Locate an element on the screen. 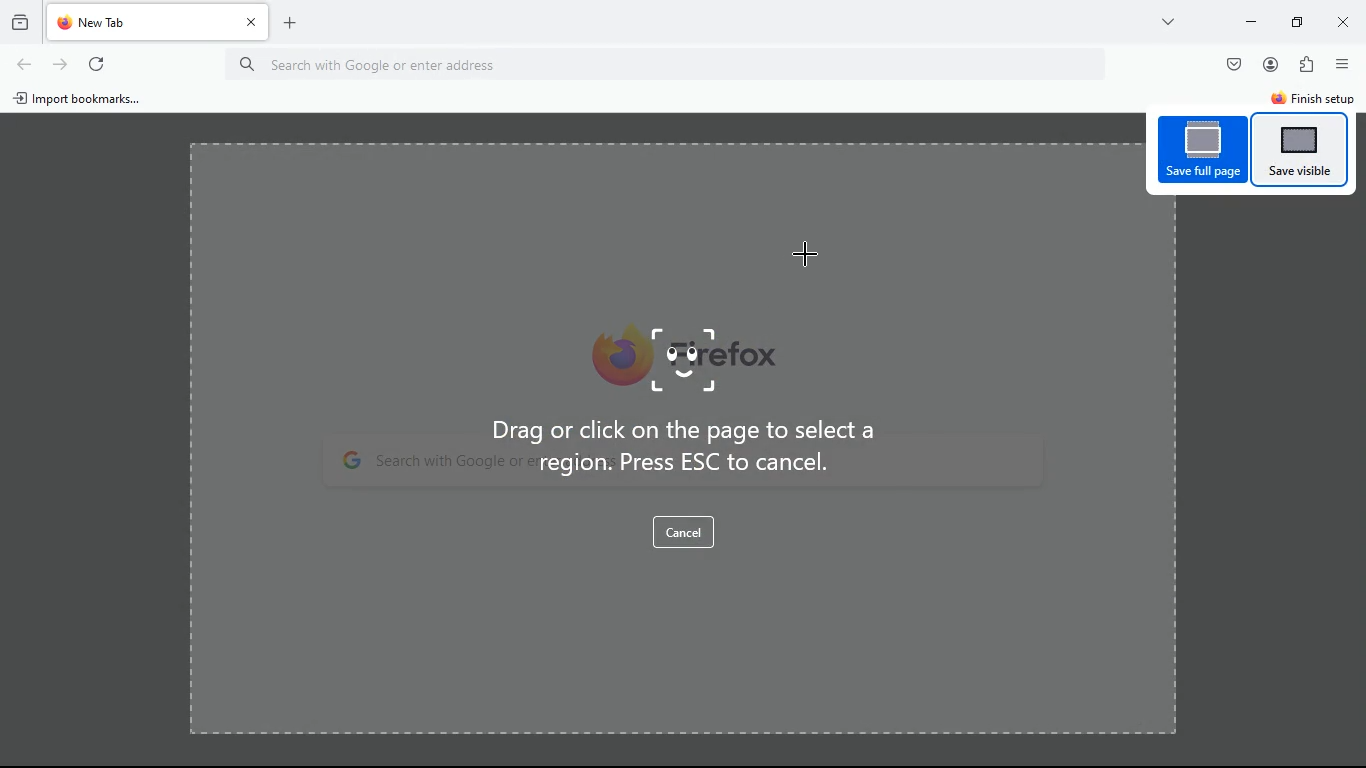 Image resolution: width=1366 pixels, height=768 pixels. minimize is located at coordinates (1294, 21).